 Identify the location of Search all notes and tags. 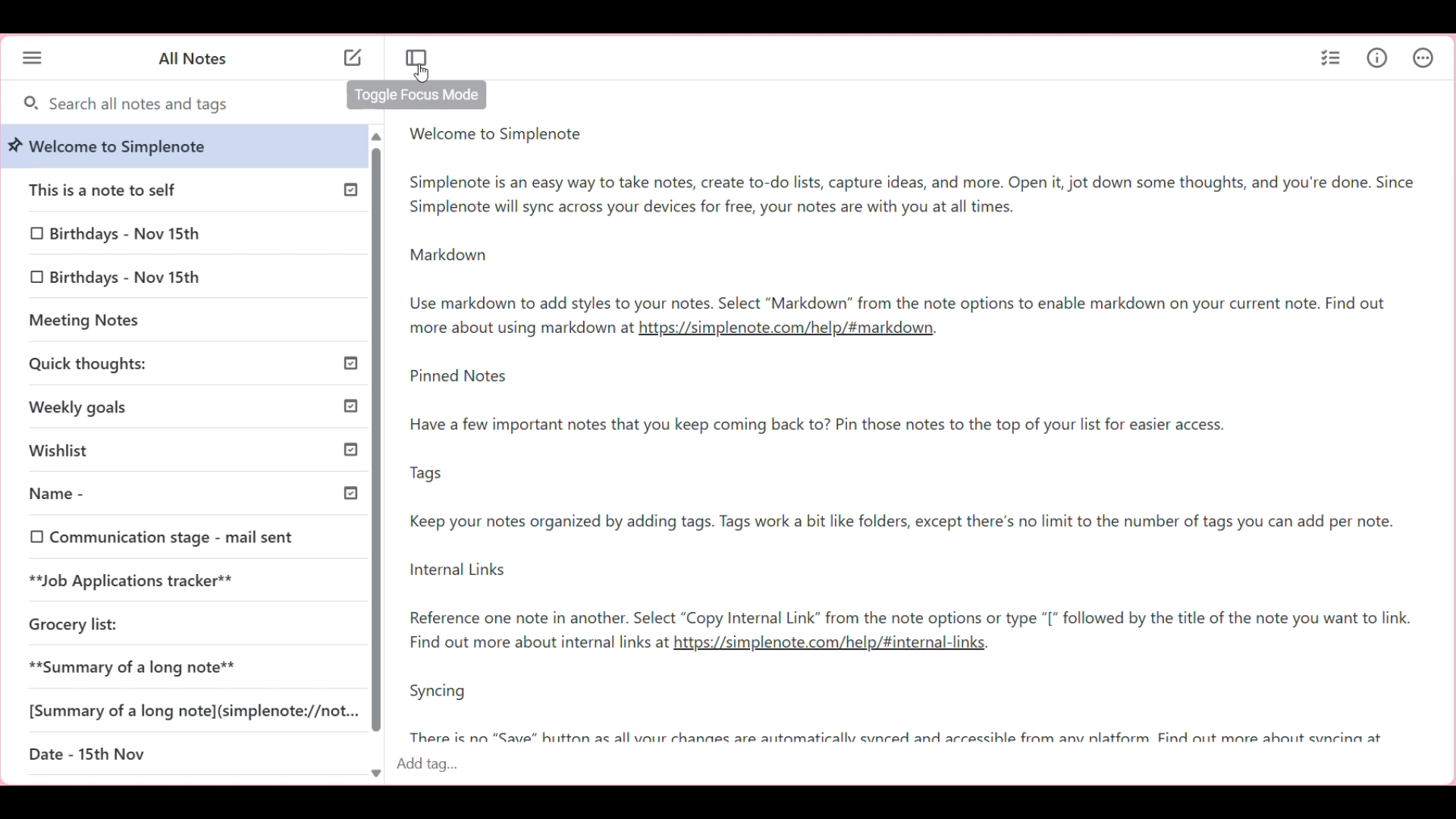
(179, 105).